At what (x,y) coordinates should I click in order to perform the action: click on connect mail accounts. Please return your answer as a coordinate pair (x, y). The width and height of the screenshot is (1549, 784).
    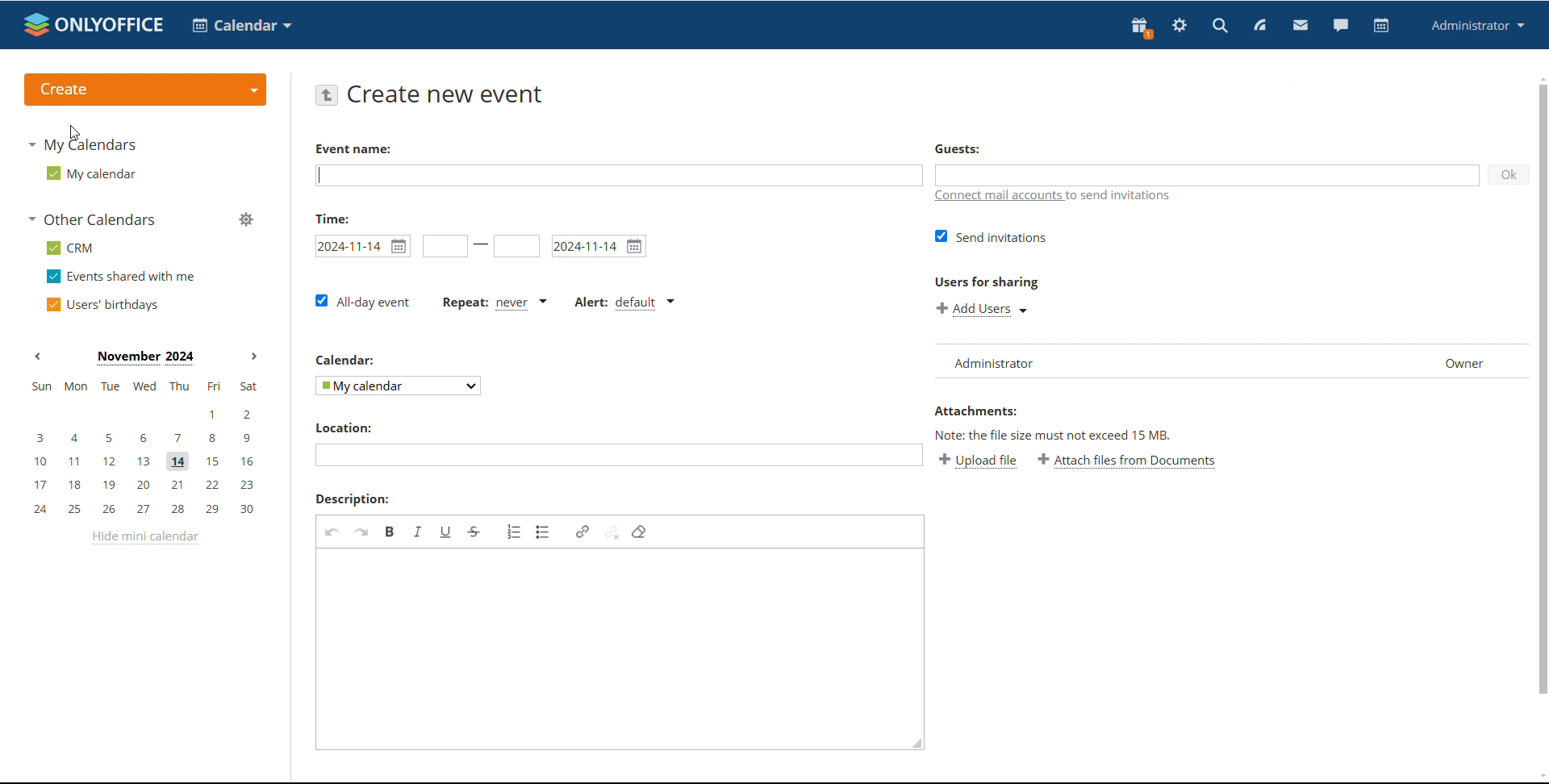
    Looking at the image, I should click on (1049, 197).